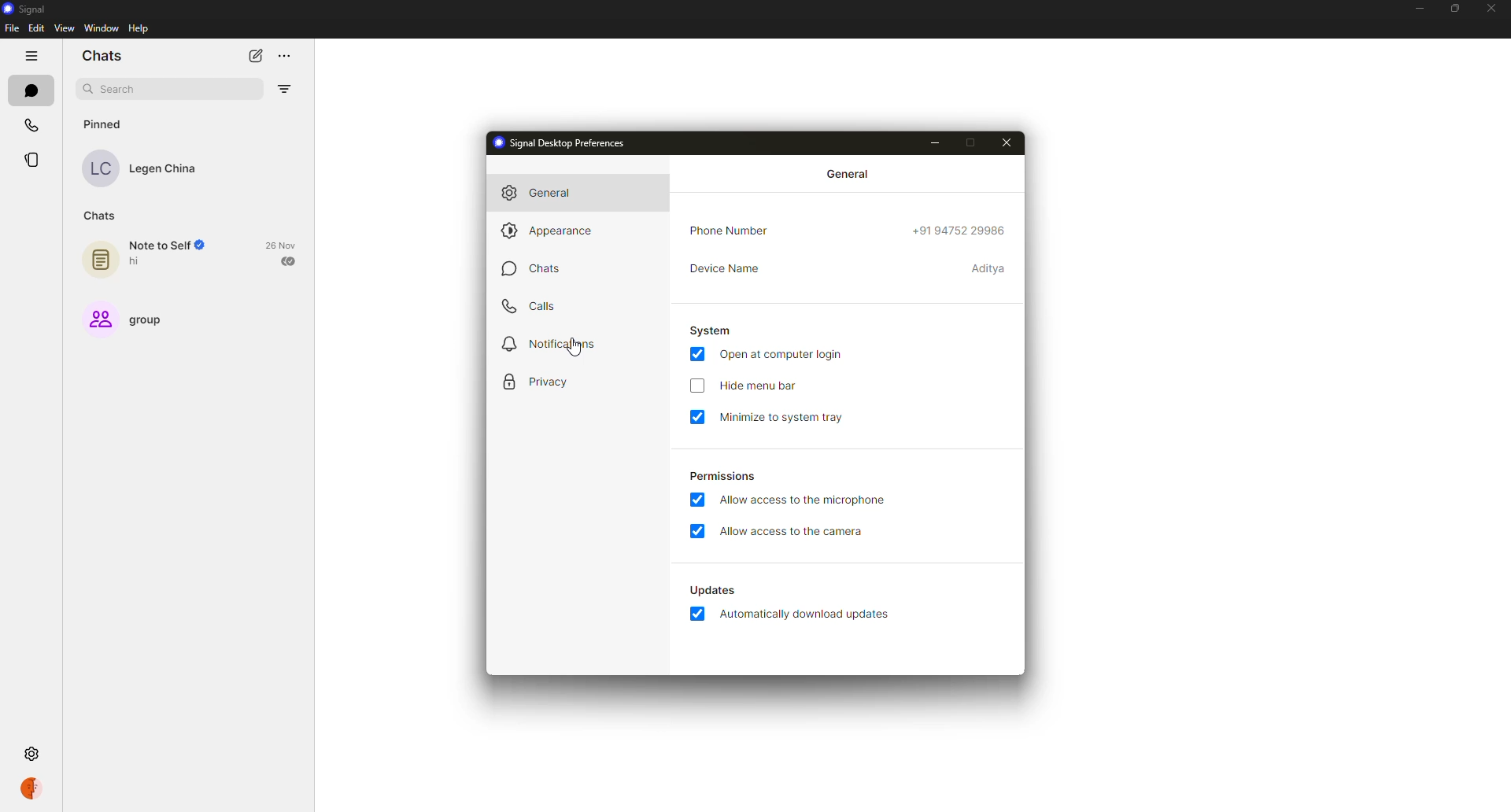 This screenshot has width=1511, height=812. What do you see at coordinates (699, 419) in the screenshot?
I see `enabled` at bounding box center [699, 419].